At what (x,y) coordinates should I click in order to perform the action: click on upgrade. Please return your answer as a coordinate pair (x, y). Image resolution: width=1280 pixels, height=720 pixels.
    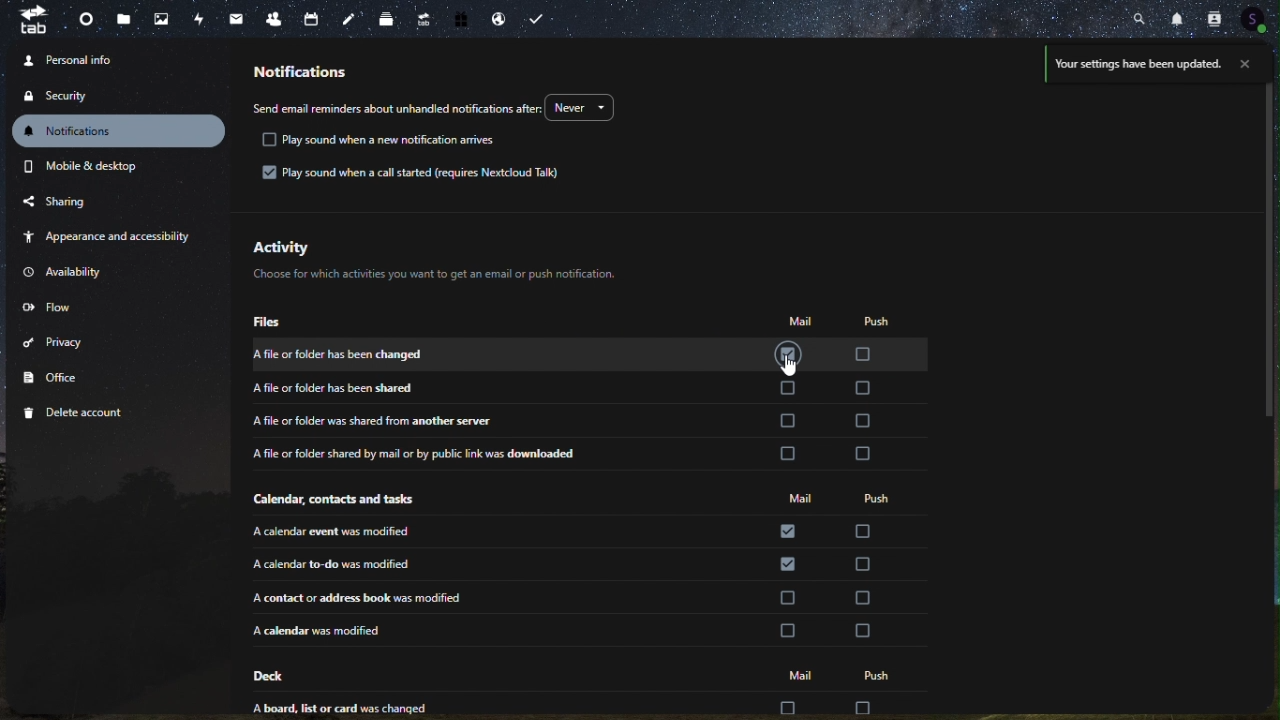
    Looking at the image, I should click on (422, 20).